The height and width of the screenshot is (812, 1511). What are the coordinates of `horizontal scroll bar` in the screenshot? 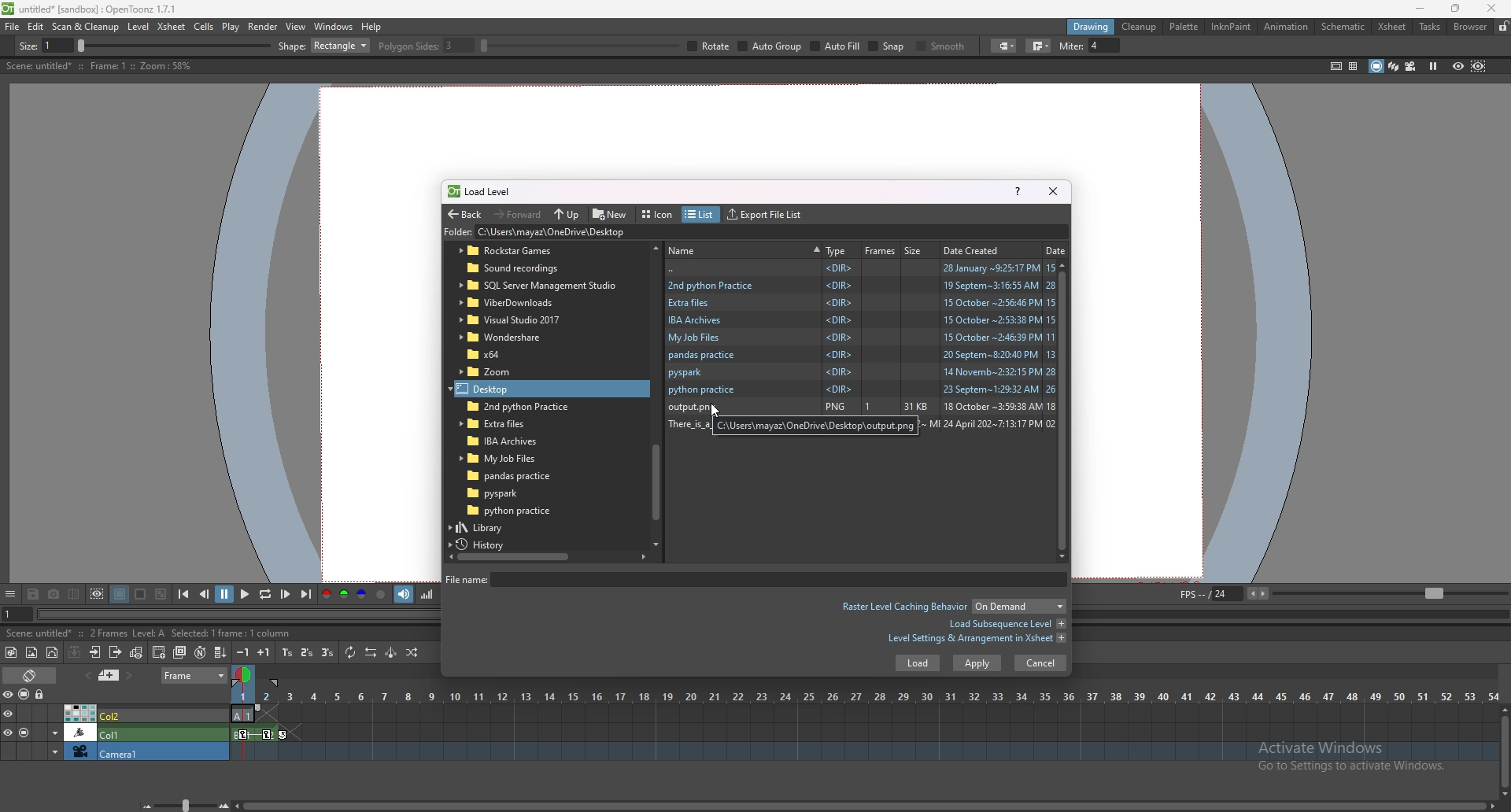 It's located at (656, 393).